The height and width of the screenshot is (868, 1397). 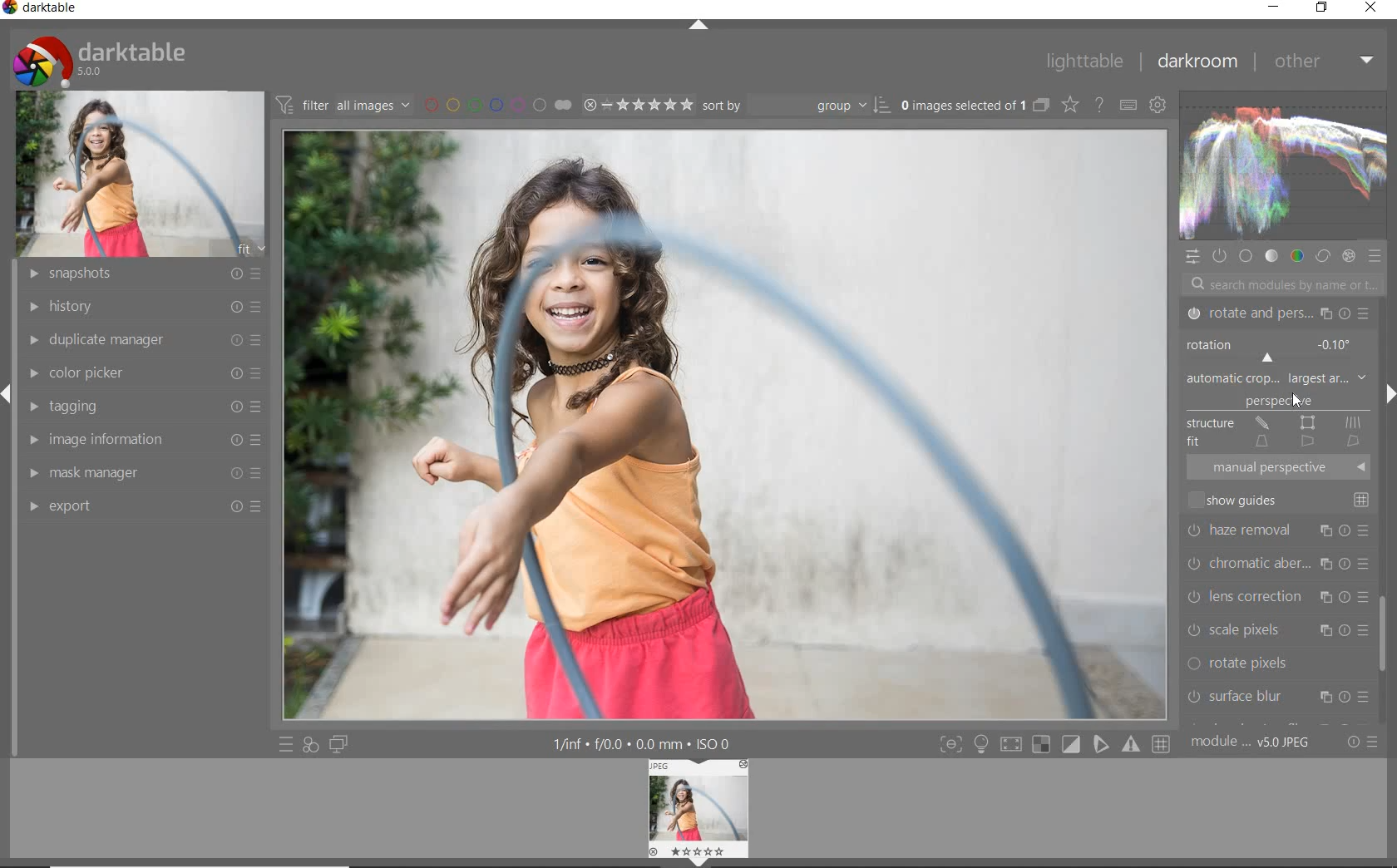 I want to click on display a second darkroom image window, so click(x=338, y=745).